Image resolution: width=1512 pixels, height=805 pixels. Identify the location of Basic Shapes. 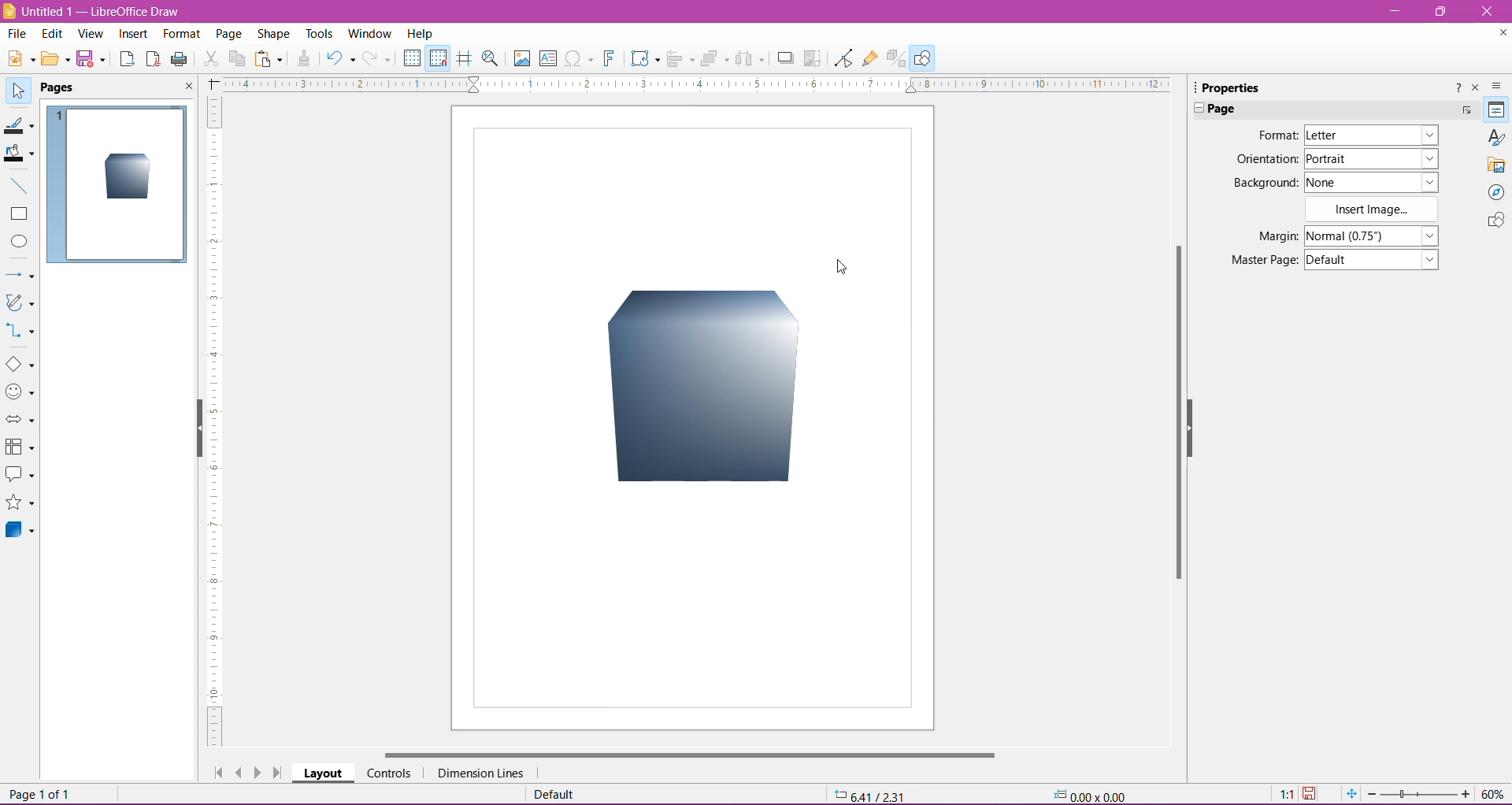
(20, 364).